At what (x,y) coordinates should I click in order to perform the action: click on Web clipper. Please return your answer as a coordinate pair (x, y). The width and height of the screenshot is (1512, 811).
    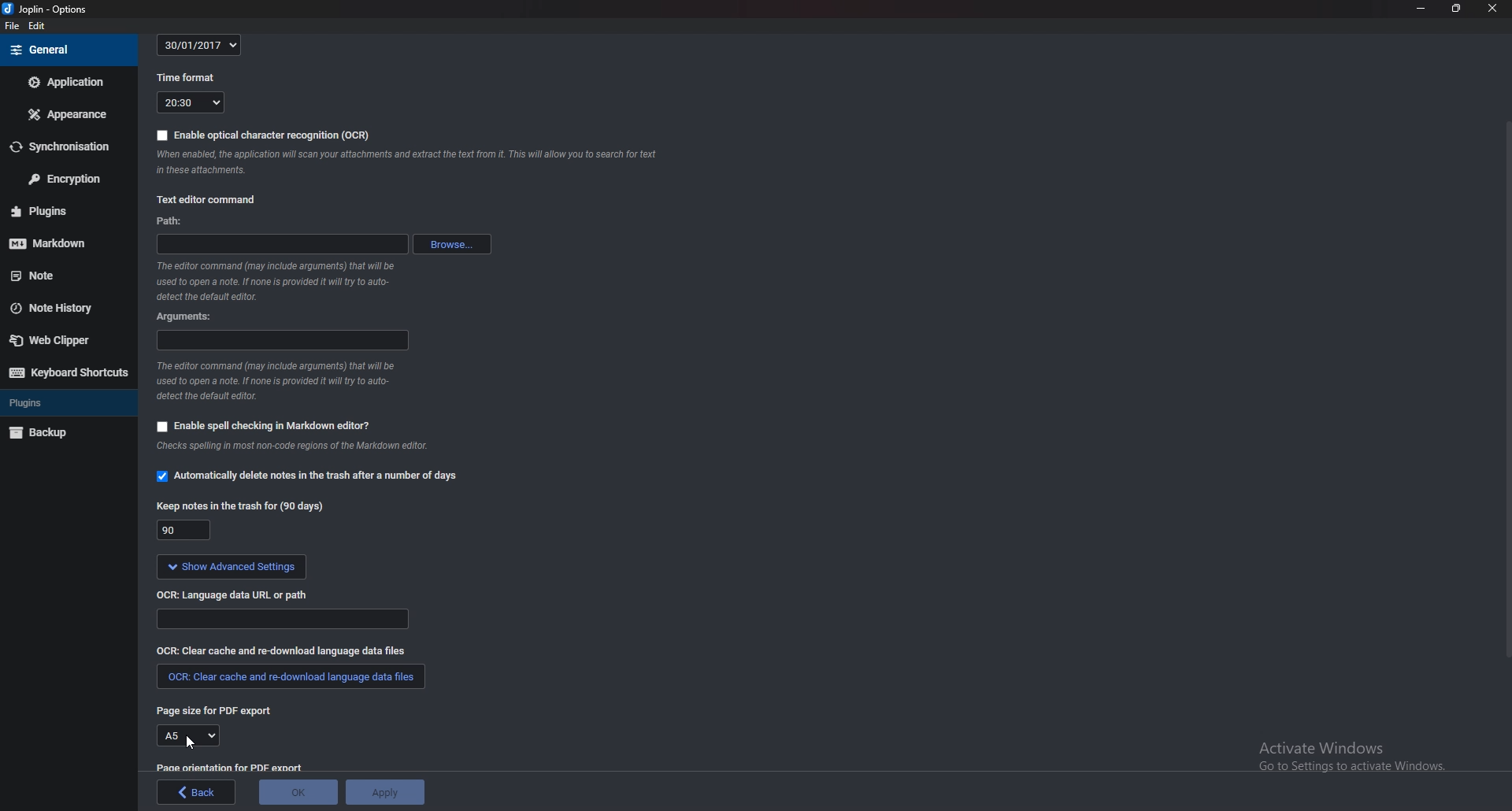
    Looking at the image, I should click on (59, 340).